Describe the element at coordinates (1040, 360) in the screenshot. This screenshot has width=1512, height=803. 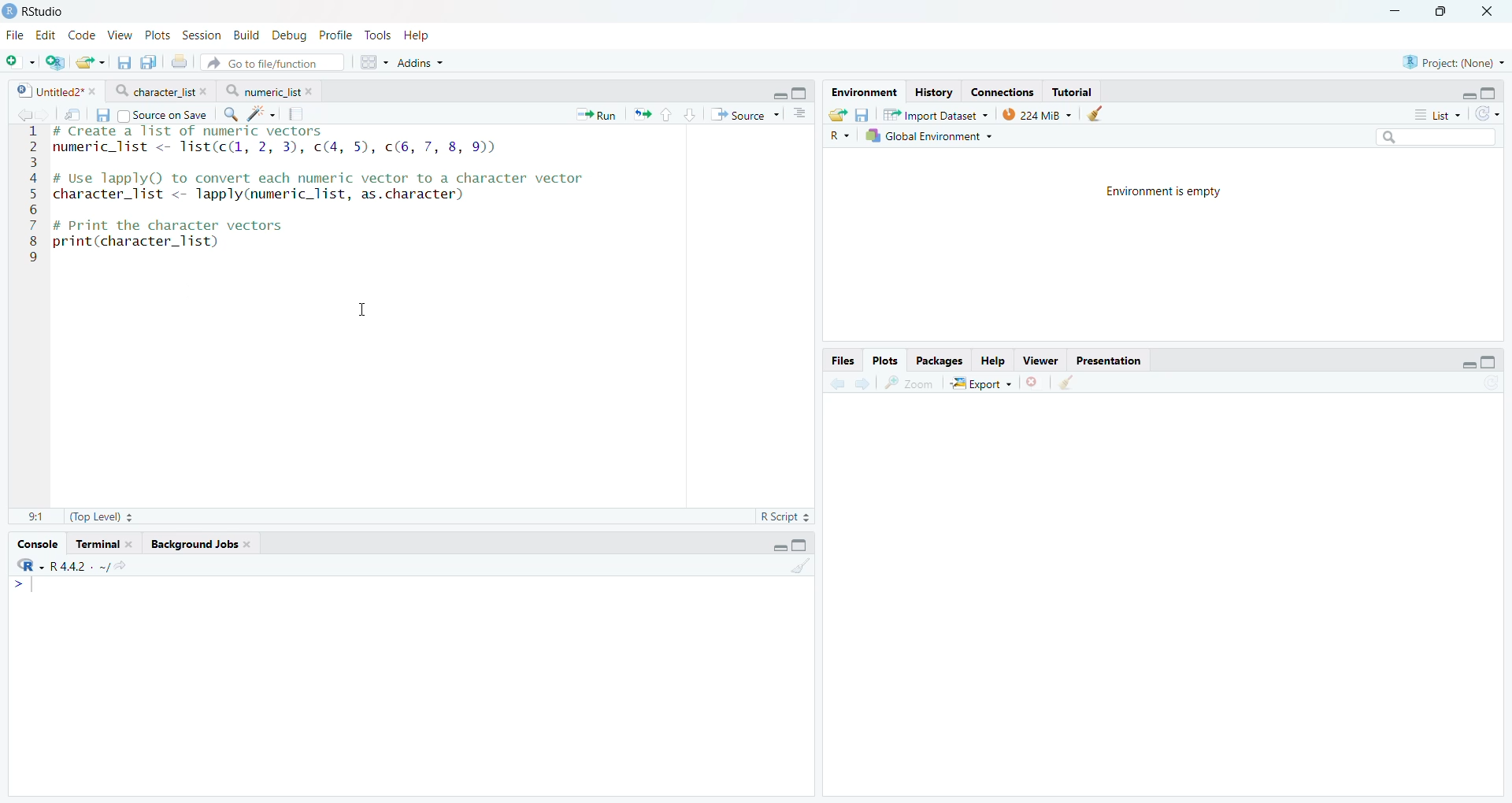
I see `Viewer` at that location.